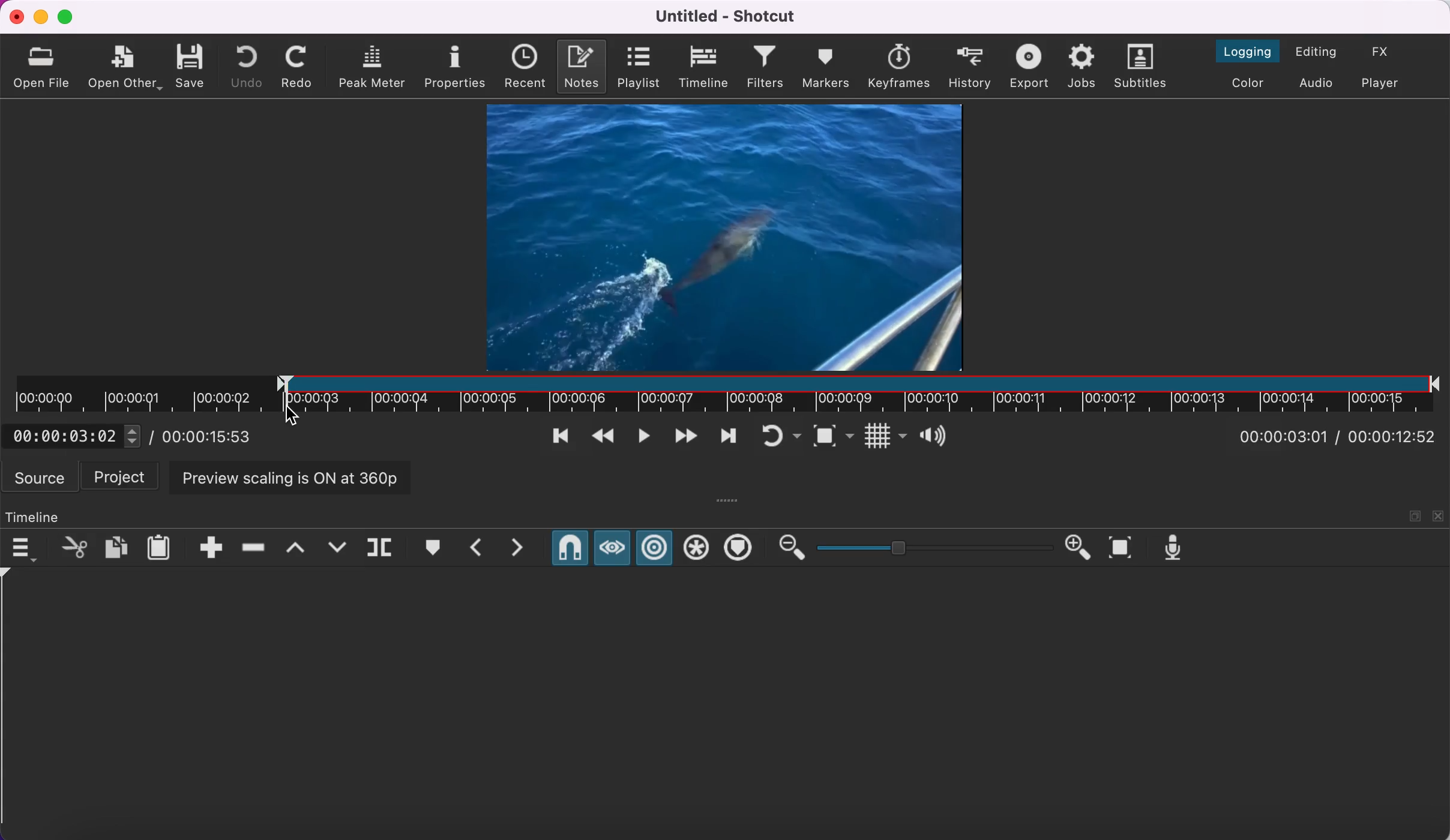 The image size is (1450, 840). What do you see at coordinates (25, 546) in the screenshot?
I see `timeline menu` at bounding box center [25, 546].